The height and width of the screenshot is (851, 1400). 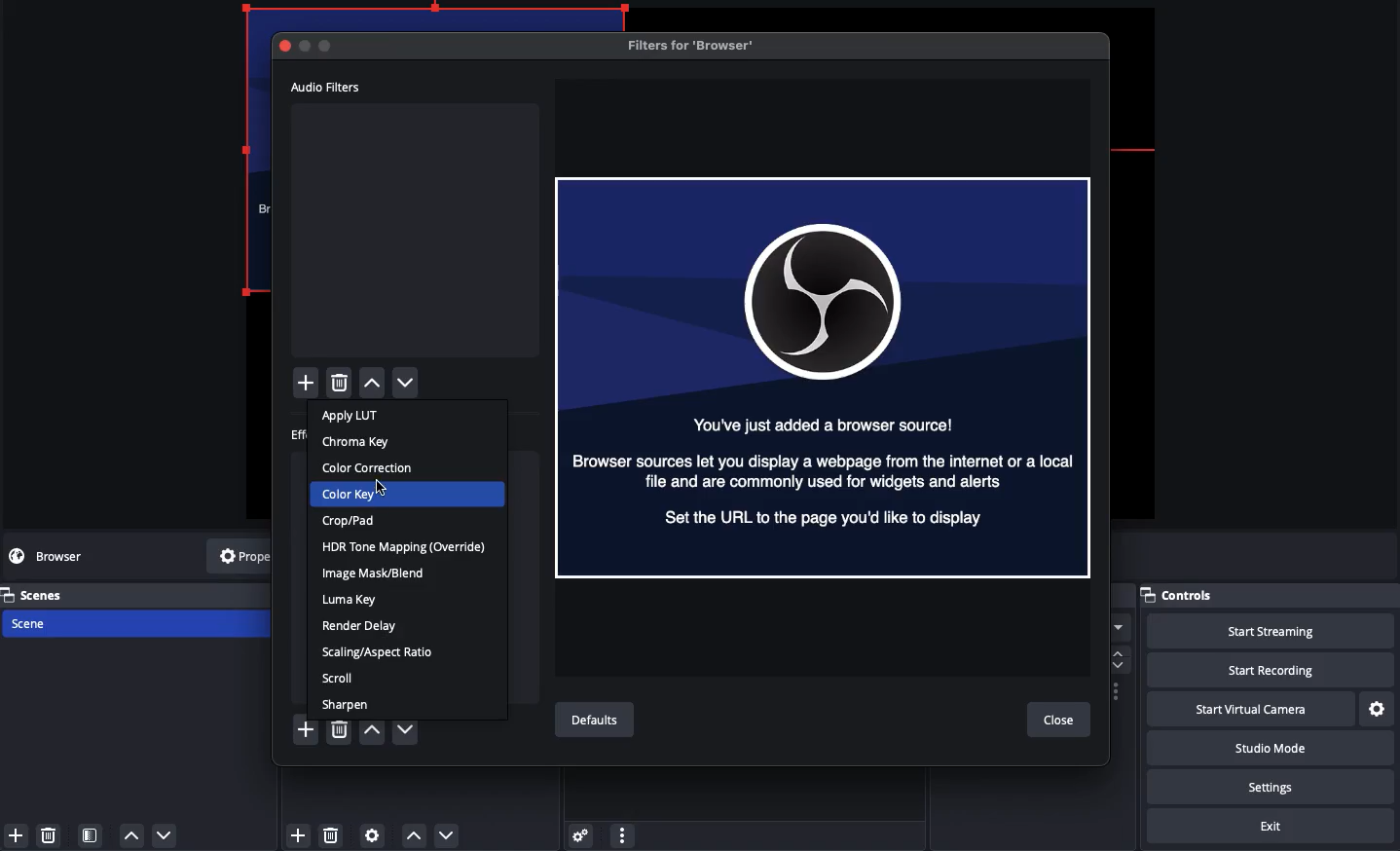 What do you see at coordinates (52, 836) in the screenshot?
I see `delete` at bounding box center [52, 836].